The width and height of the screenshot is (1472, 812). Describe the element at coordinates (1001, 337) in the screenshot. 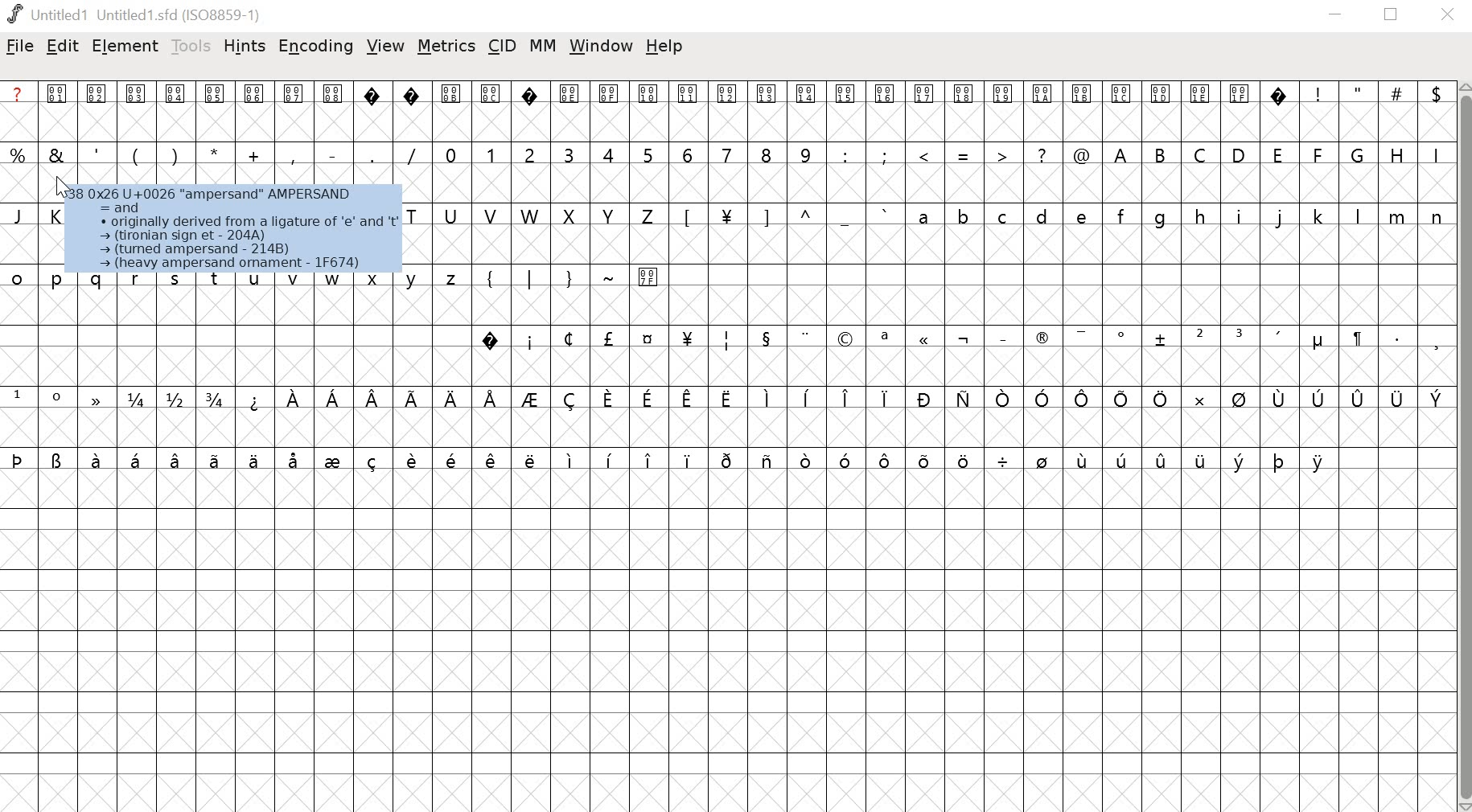

I see `_` at that location.